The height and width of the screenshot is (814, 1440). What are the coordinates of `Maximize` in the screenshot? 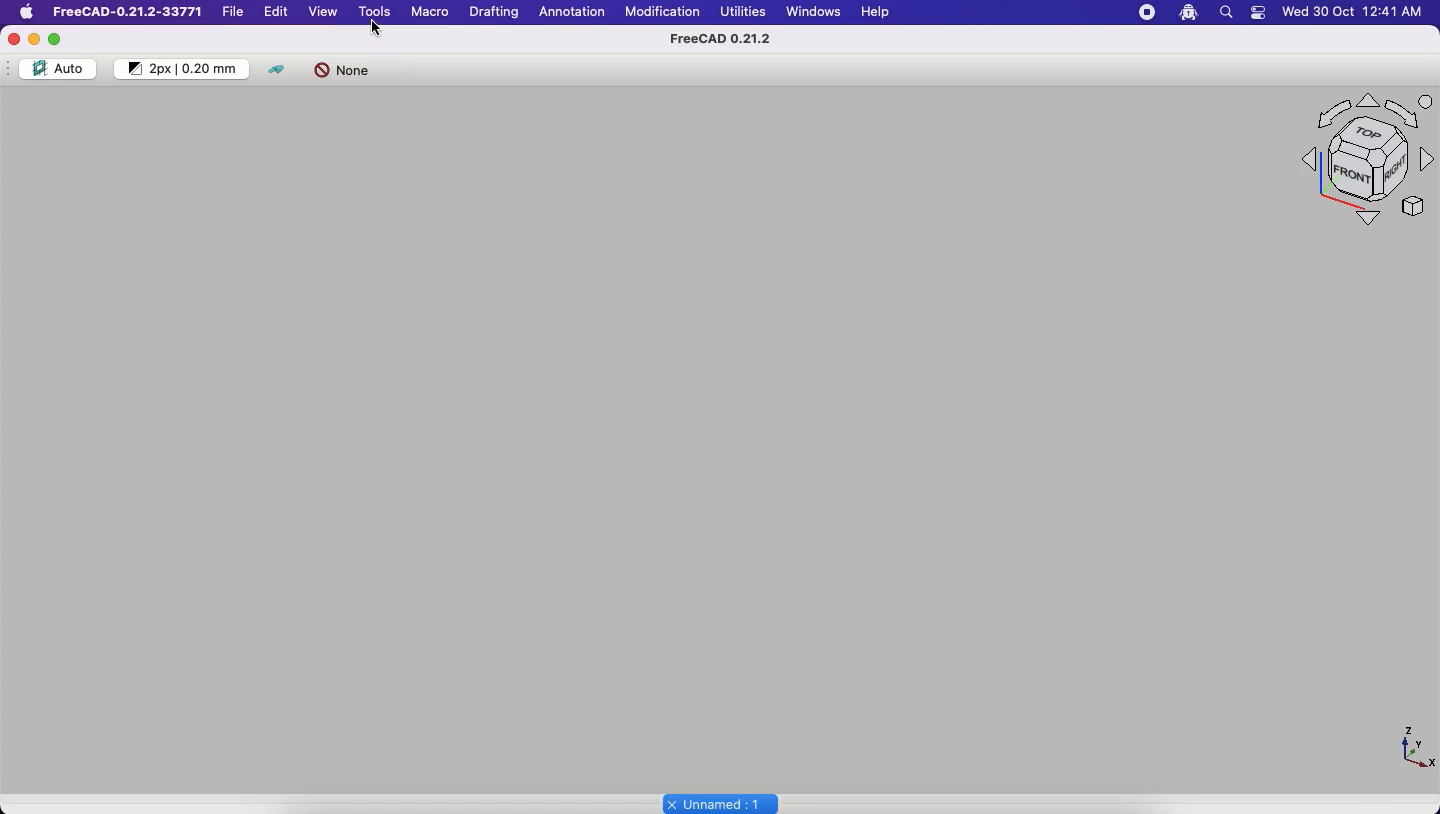 It's located at (61, 39).